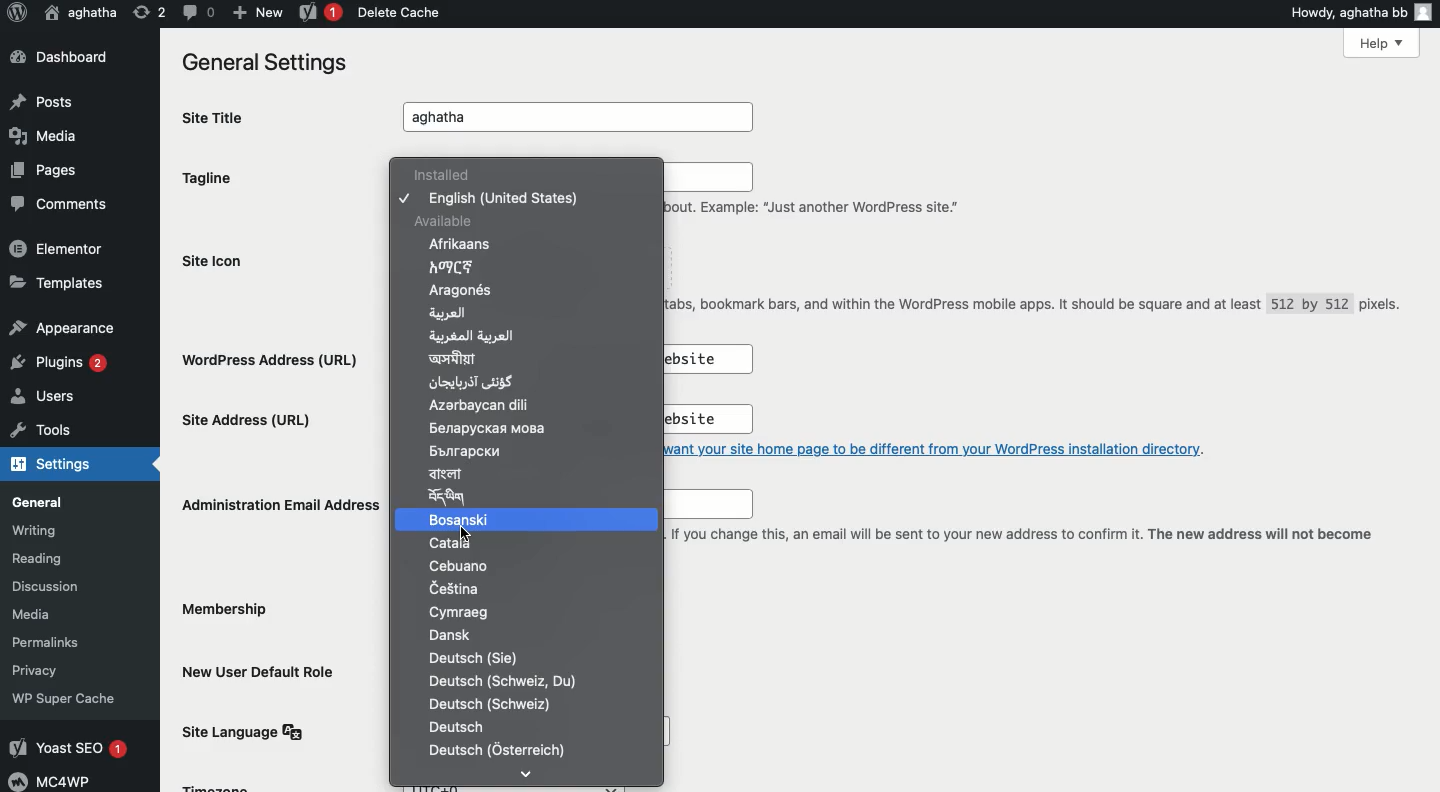  I want to click on Cursor, so click(469, 535).